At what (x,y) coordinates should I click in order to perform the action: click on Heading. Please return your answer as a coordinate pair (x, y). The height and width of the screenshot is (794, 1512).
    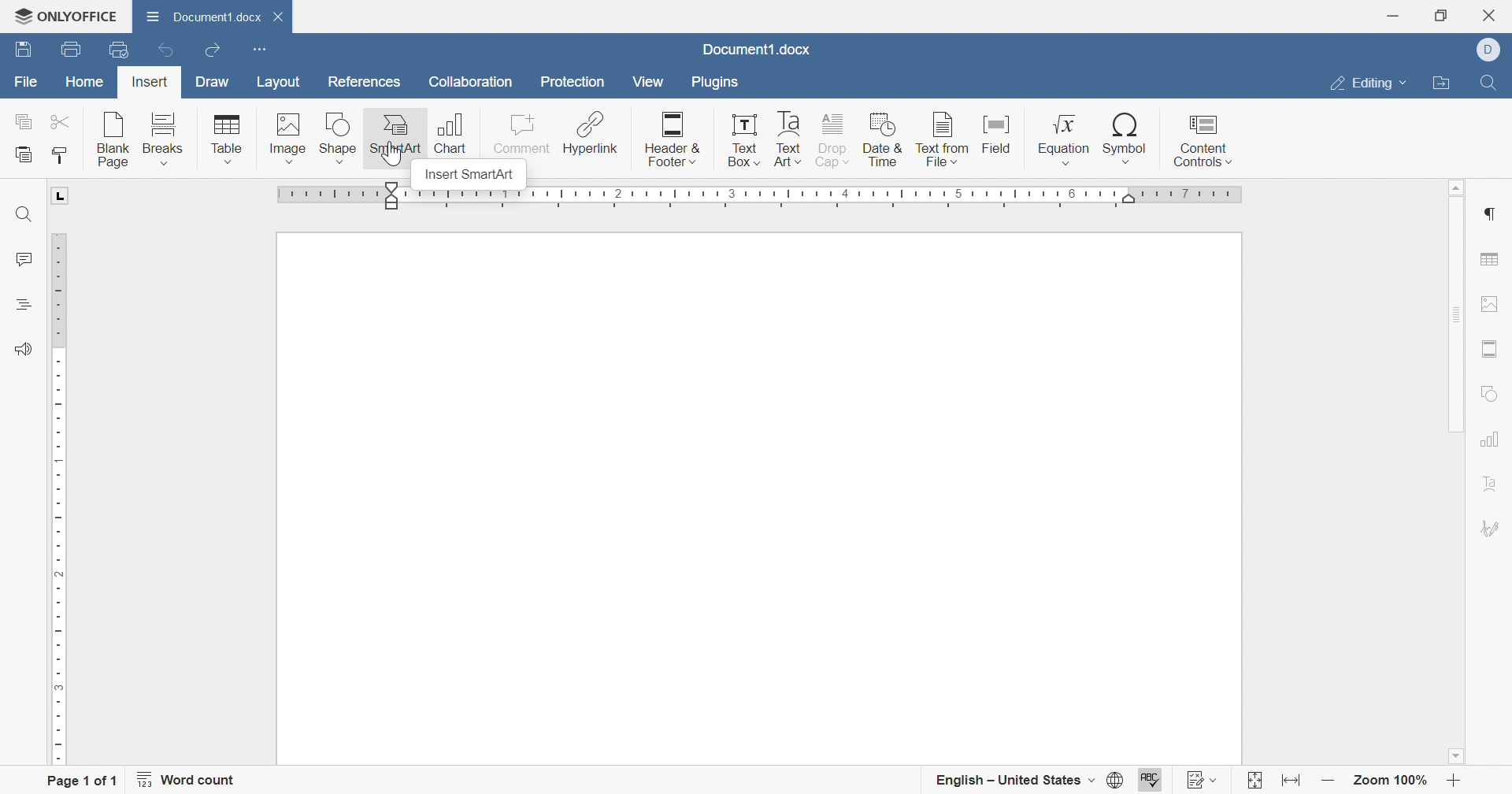
    Looking at the image, I should click on (21, 302).